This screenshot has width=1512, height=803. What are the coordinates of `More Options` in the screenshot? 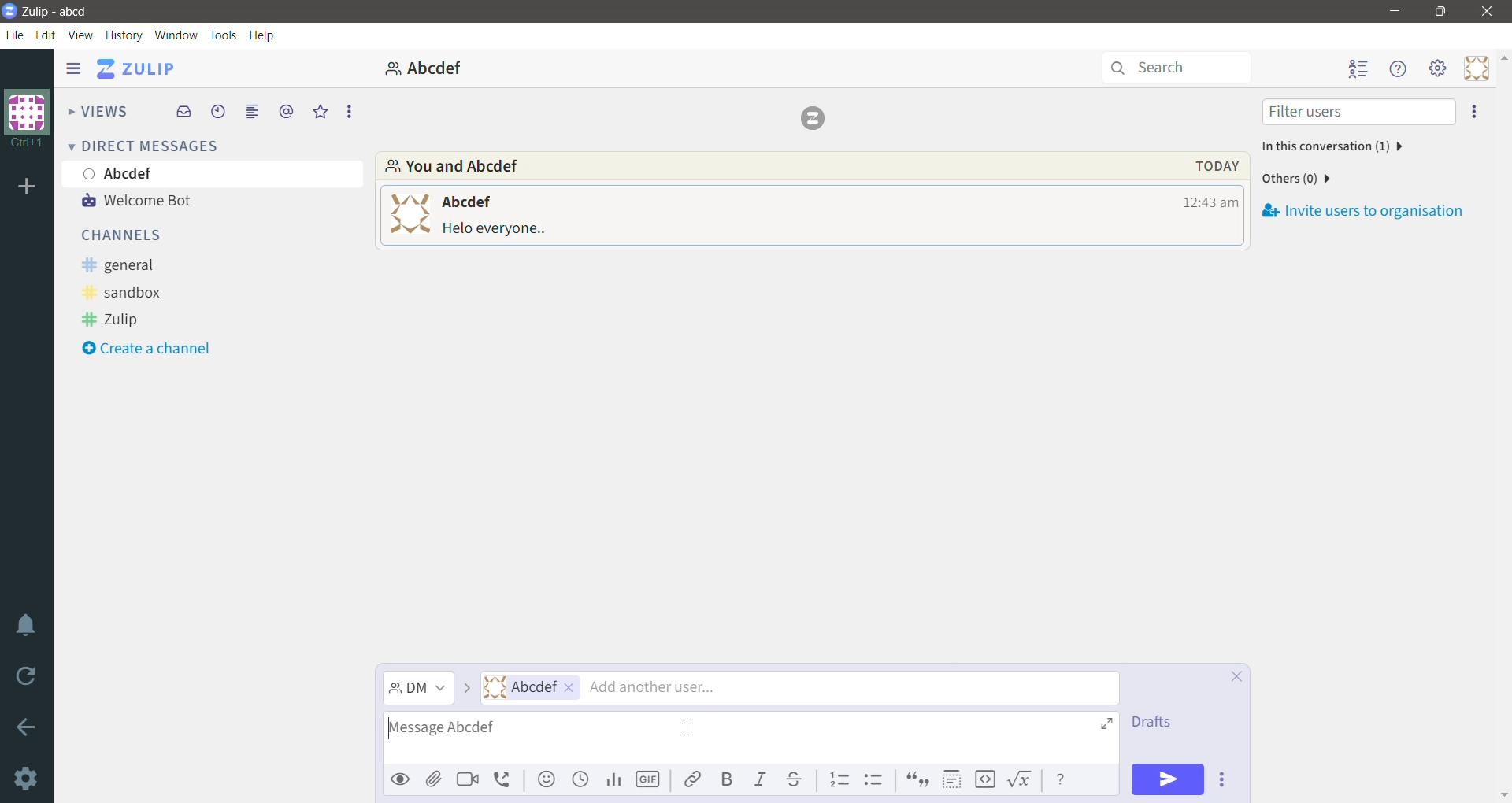 It's located at (348, 111).